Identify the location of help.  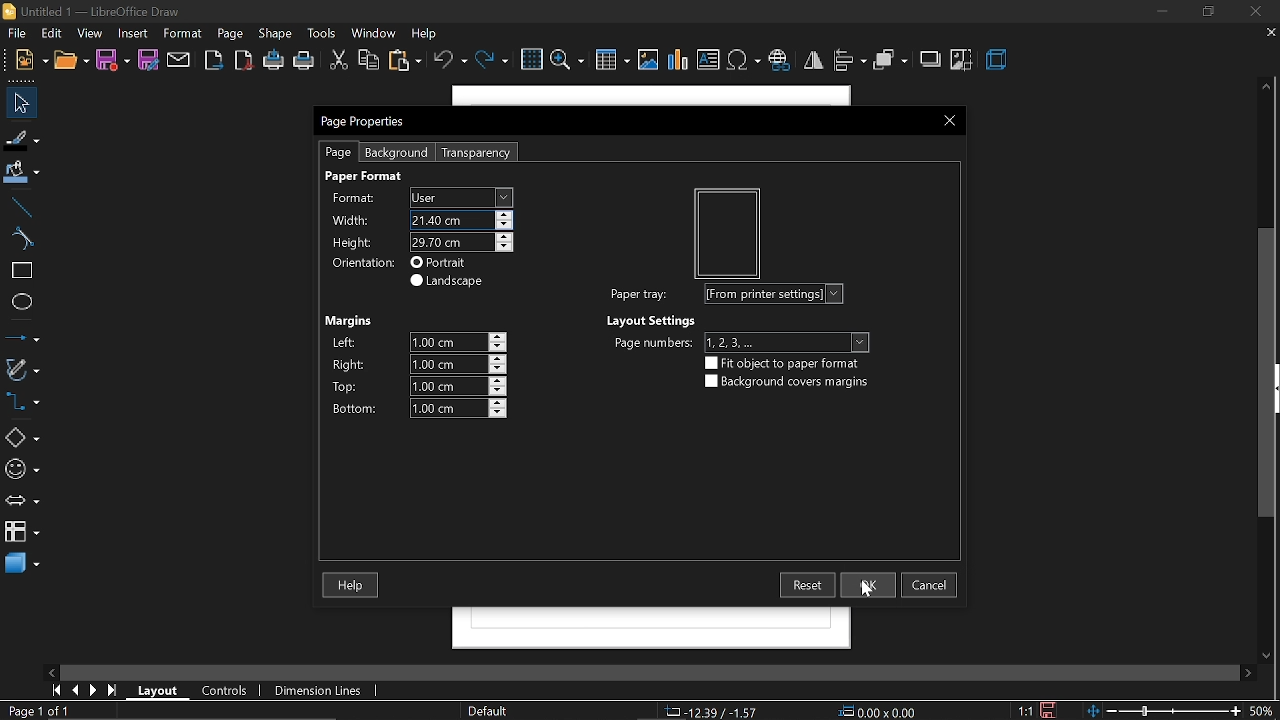
(427, 34).